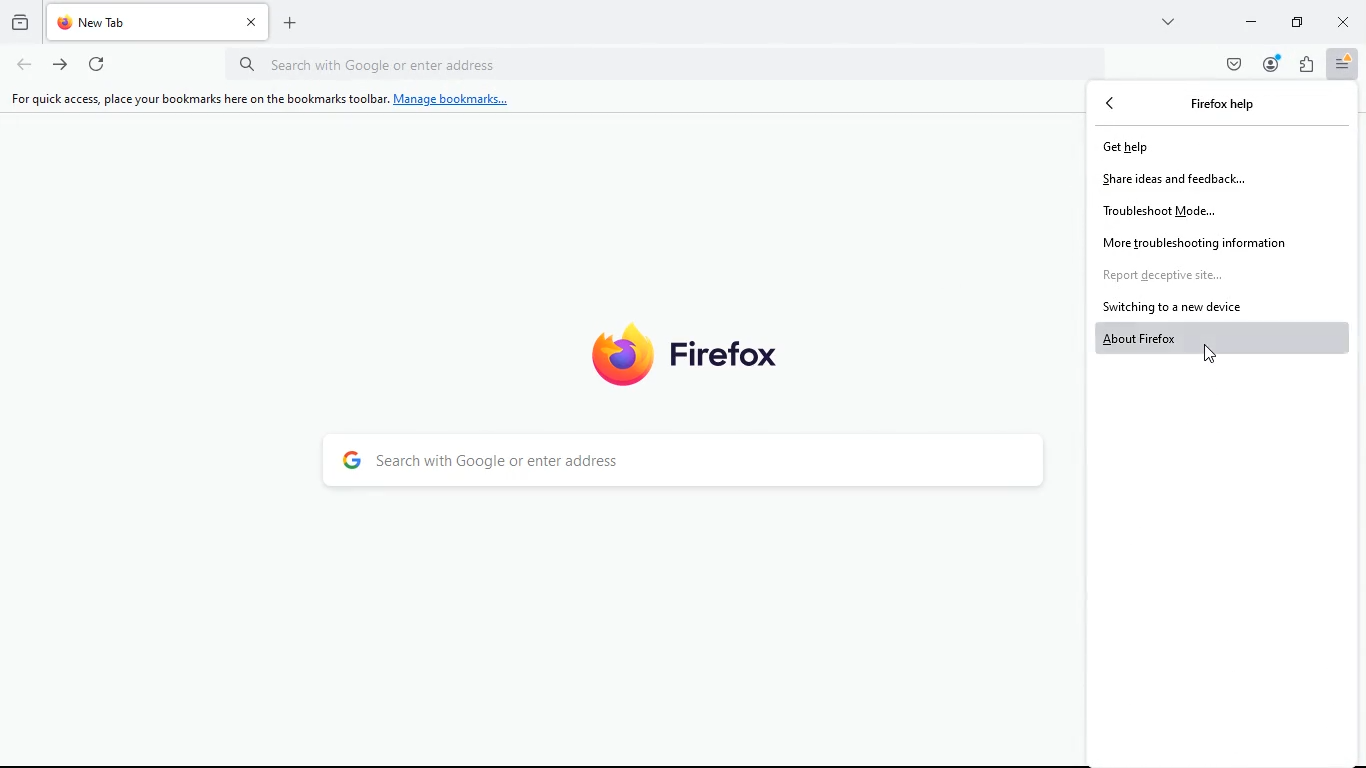 The width and height of the screenshot is (1366, 768). What do you see at coordinates (23, 65) in the screenshot?
I see `back` at bounding box center [23, 65].